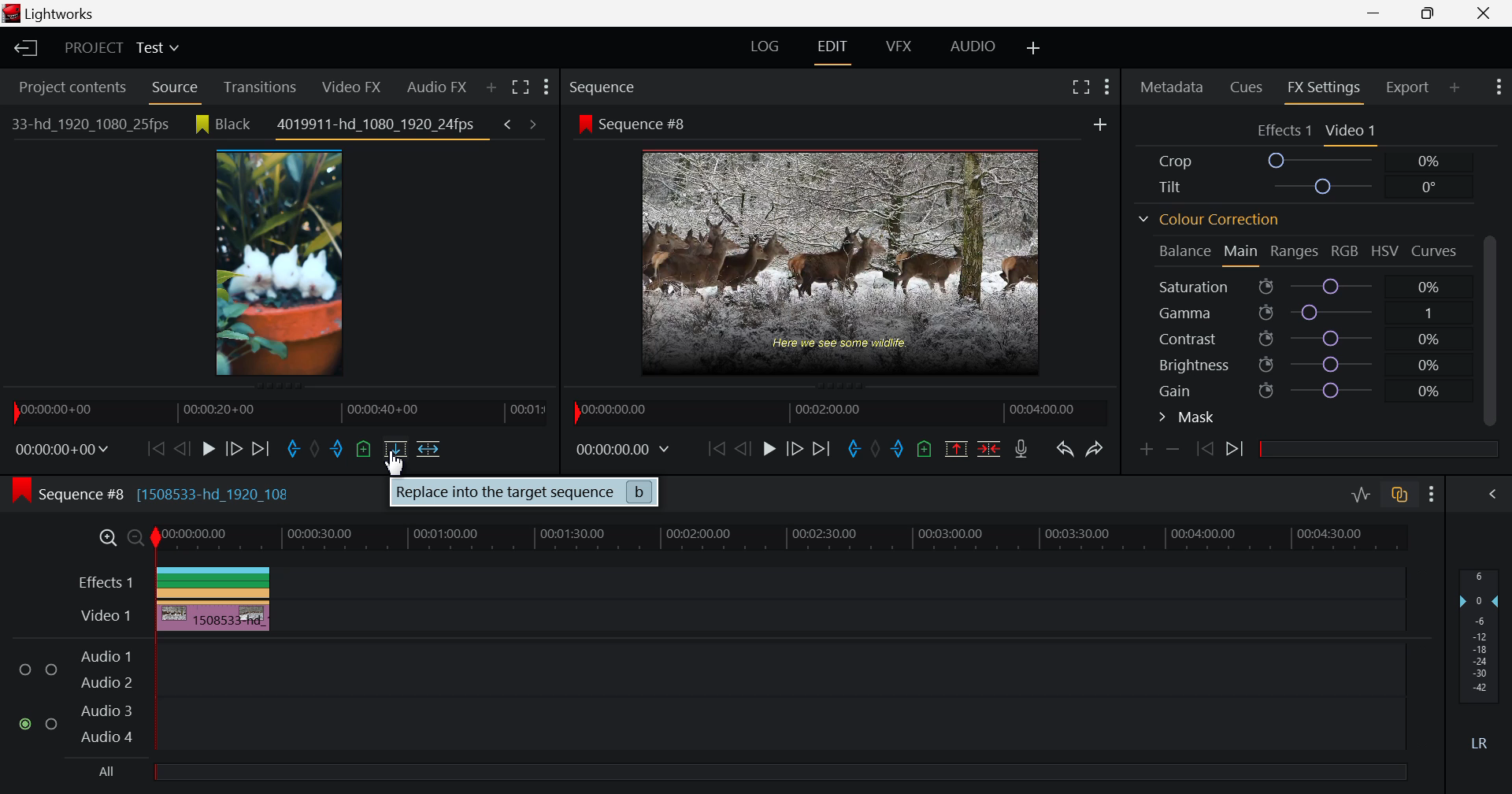  What do you see at coordinates (1389, 254) in the screenshot?
I see `HSV` at bounding box center [1389, 254].